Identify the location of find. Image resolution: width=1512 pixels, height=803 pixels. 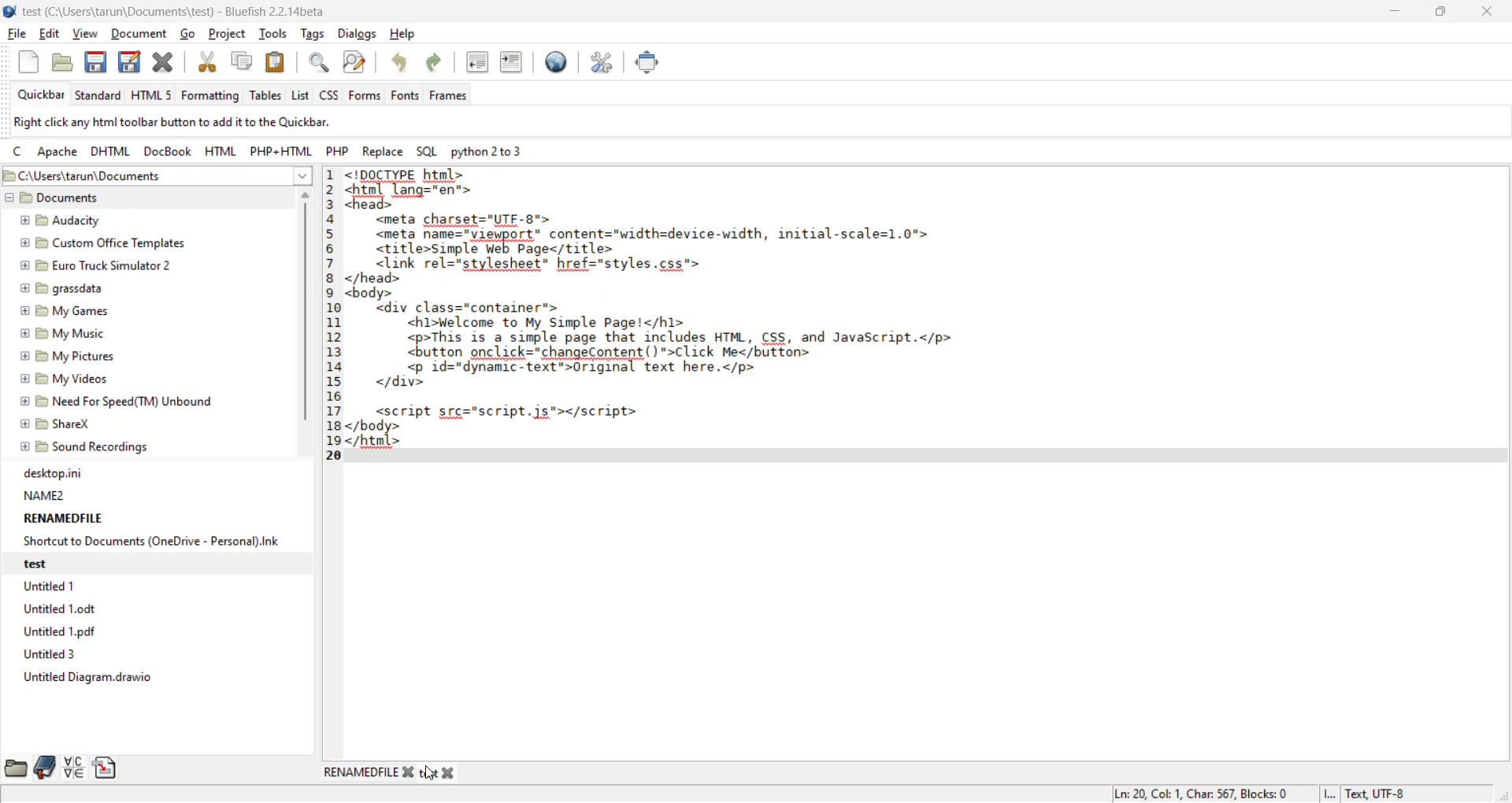
(320, 63).